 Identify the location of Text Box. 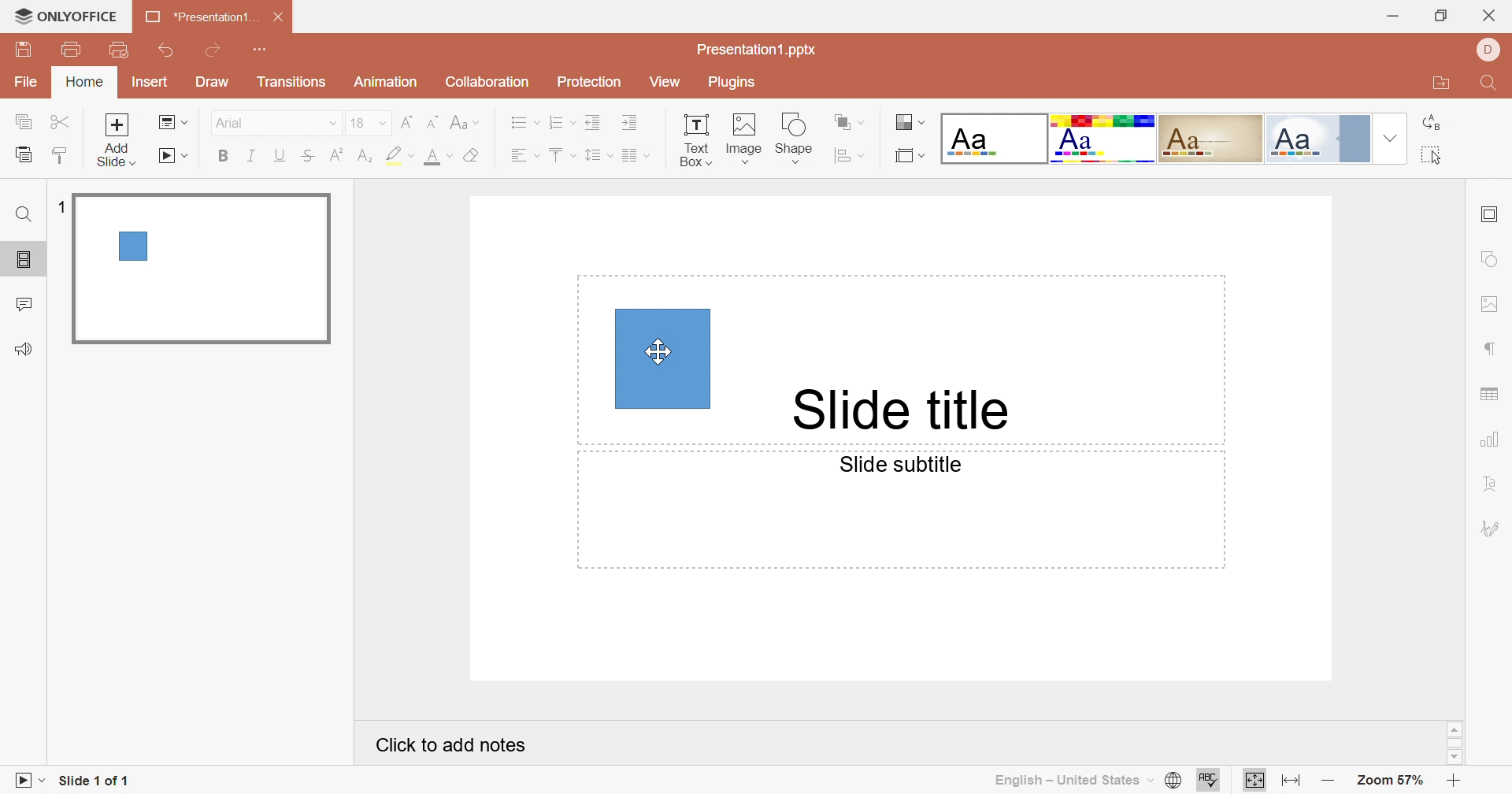
(694, 139).